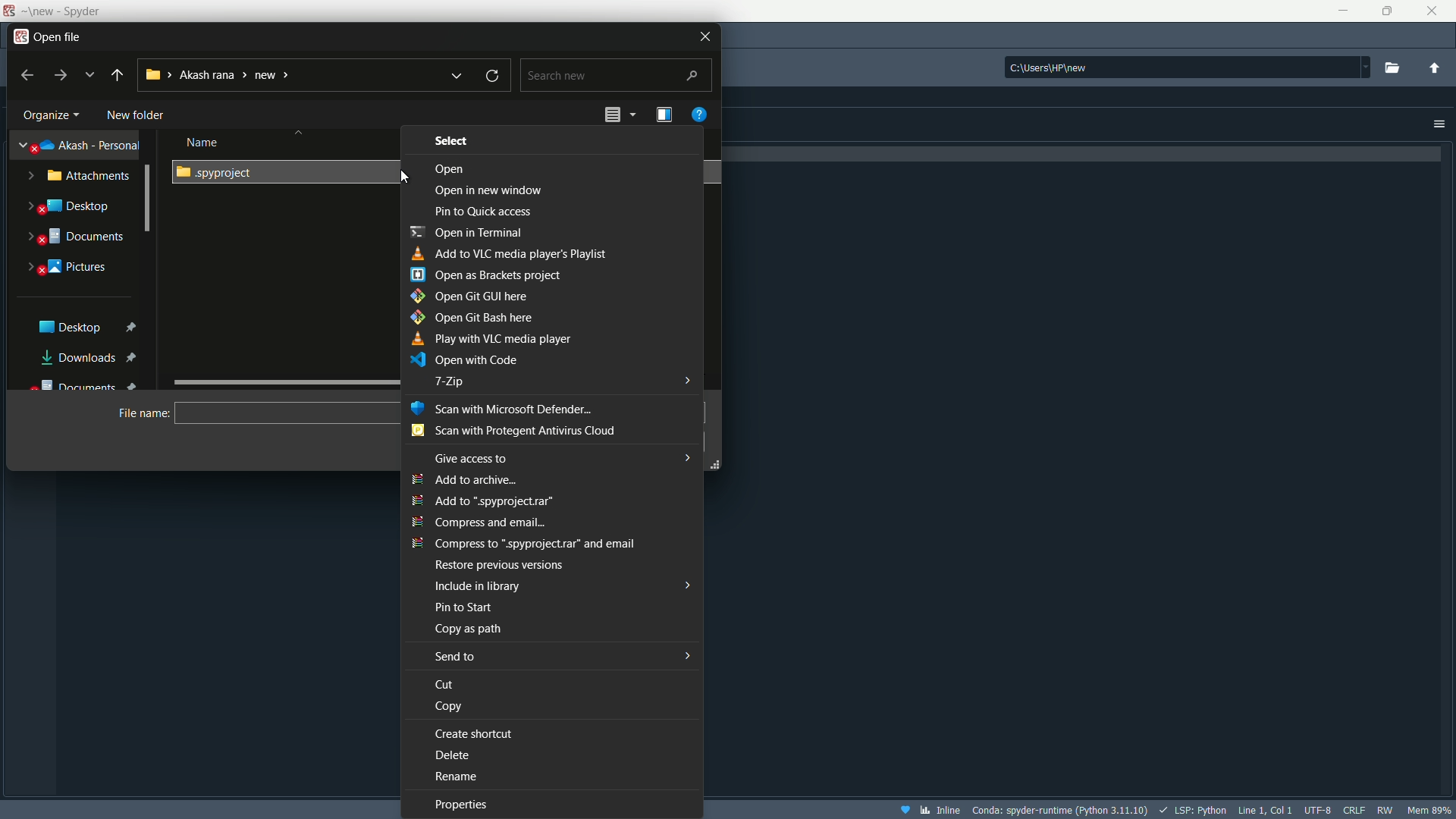 The width and height of the screenshot is (1456, 819). What do you see at coordinates (620, 74) in the screenshot?
I see `Search bar` at bounding box center [620, 74].